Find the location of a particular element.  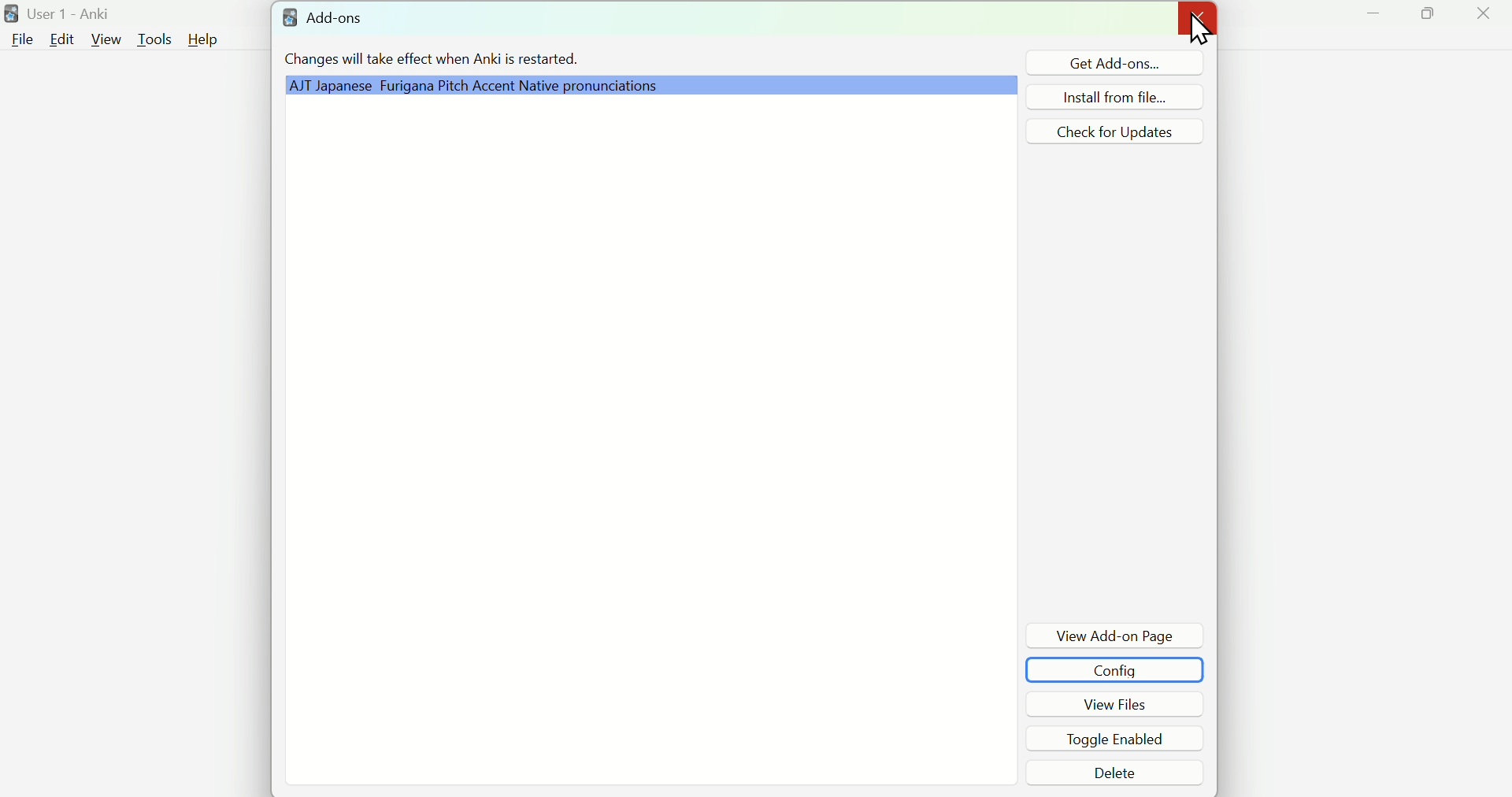

Minimize is located at coordinates (1380, 21).